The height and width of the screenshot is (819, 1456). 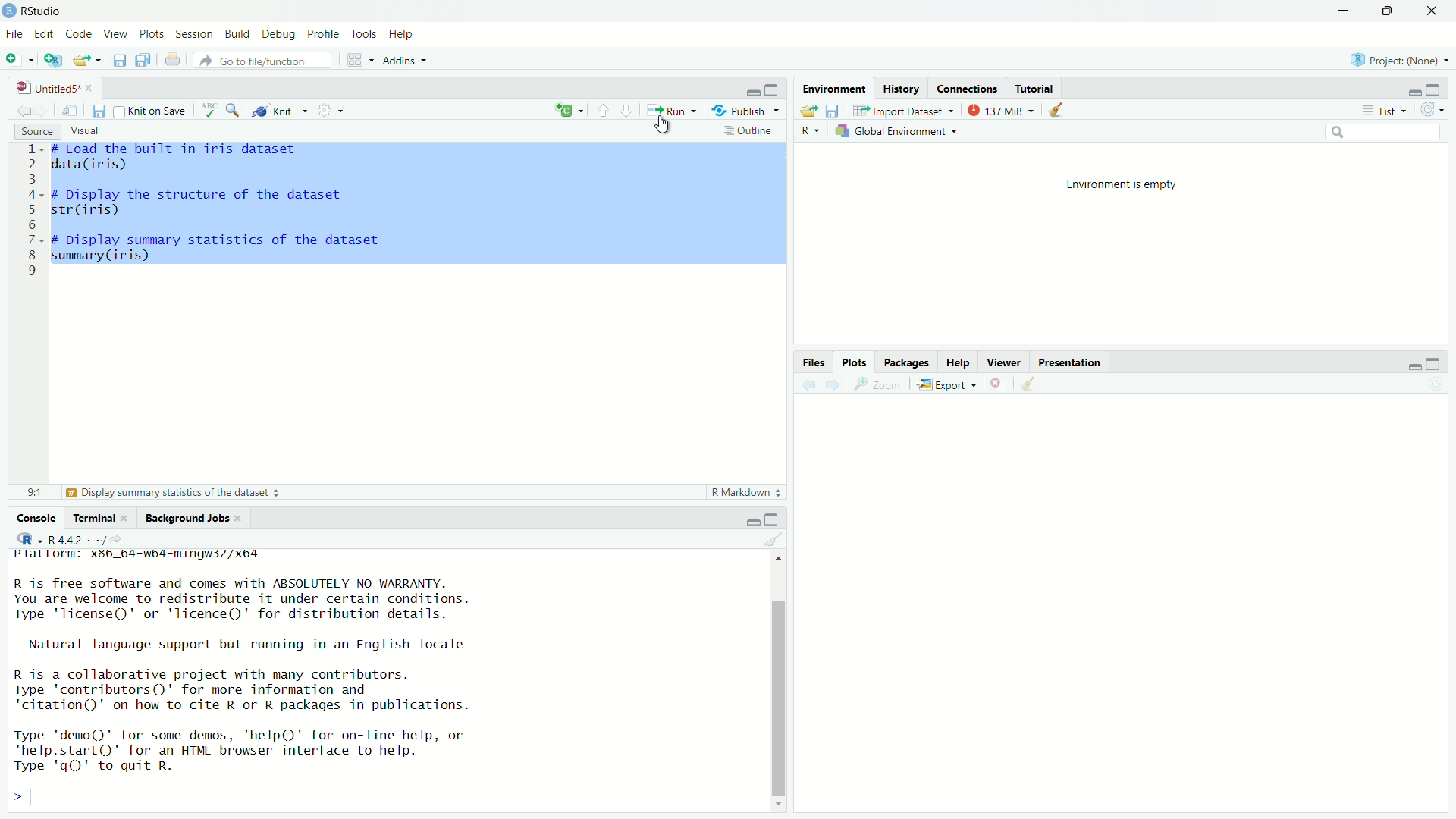 What do you see at coordinates (1431, 110) in the screenshot?
I see `Refresh` at bounding box center [1431, 110].